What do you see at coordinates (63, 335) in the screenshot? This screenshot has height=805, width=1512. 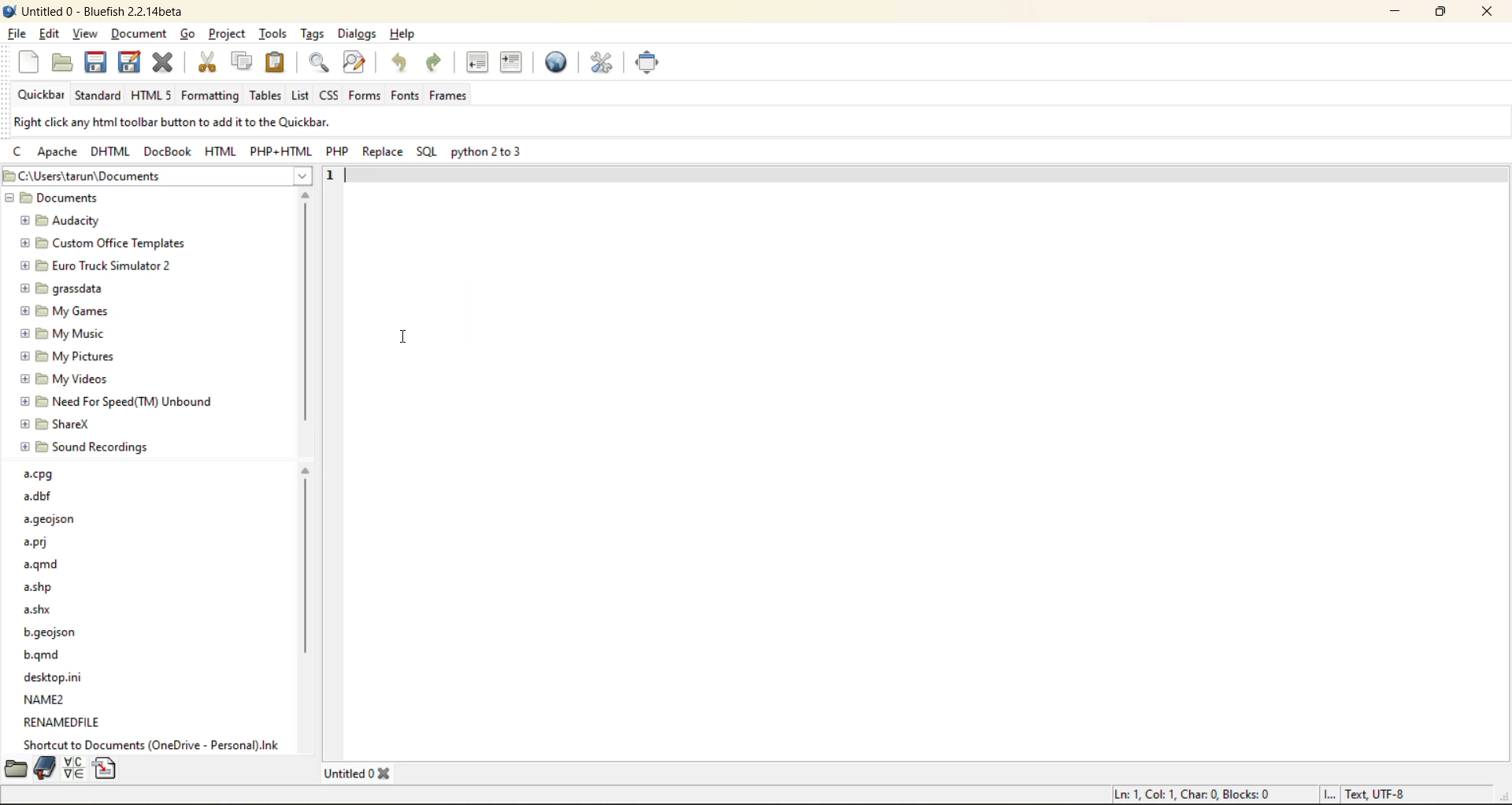 I see `my music` at bounding box center [63, 335].